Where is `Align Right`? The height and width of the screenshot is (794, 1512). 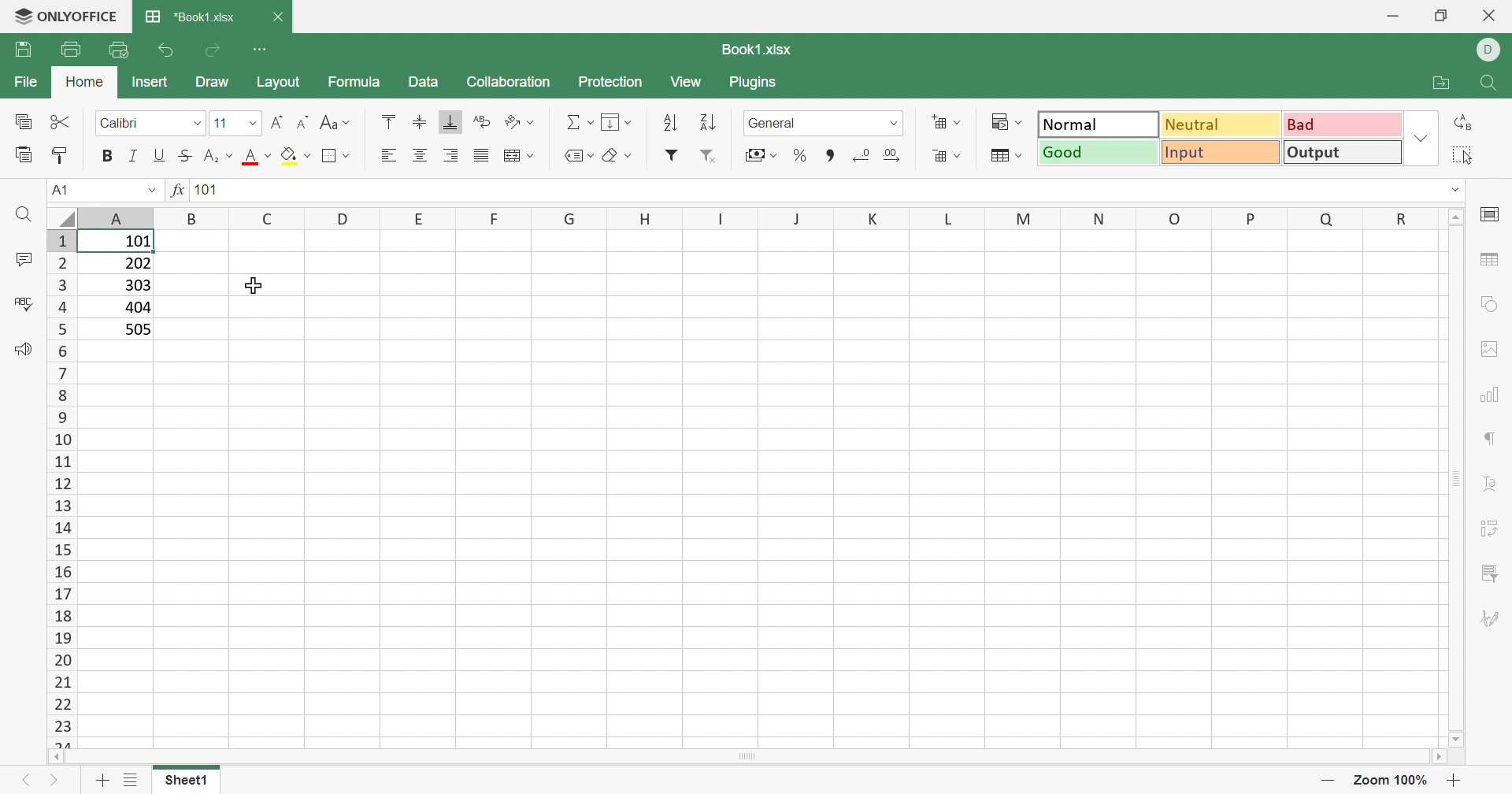 Align Right is located at coordinates (450, 157).